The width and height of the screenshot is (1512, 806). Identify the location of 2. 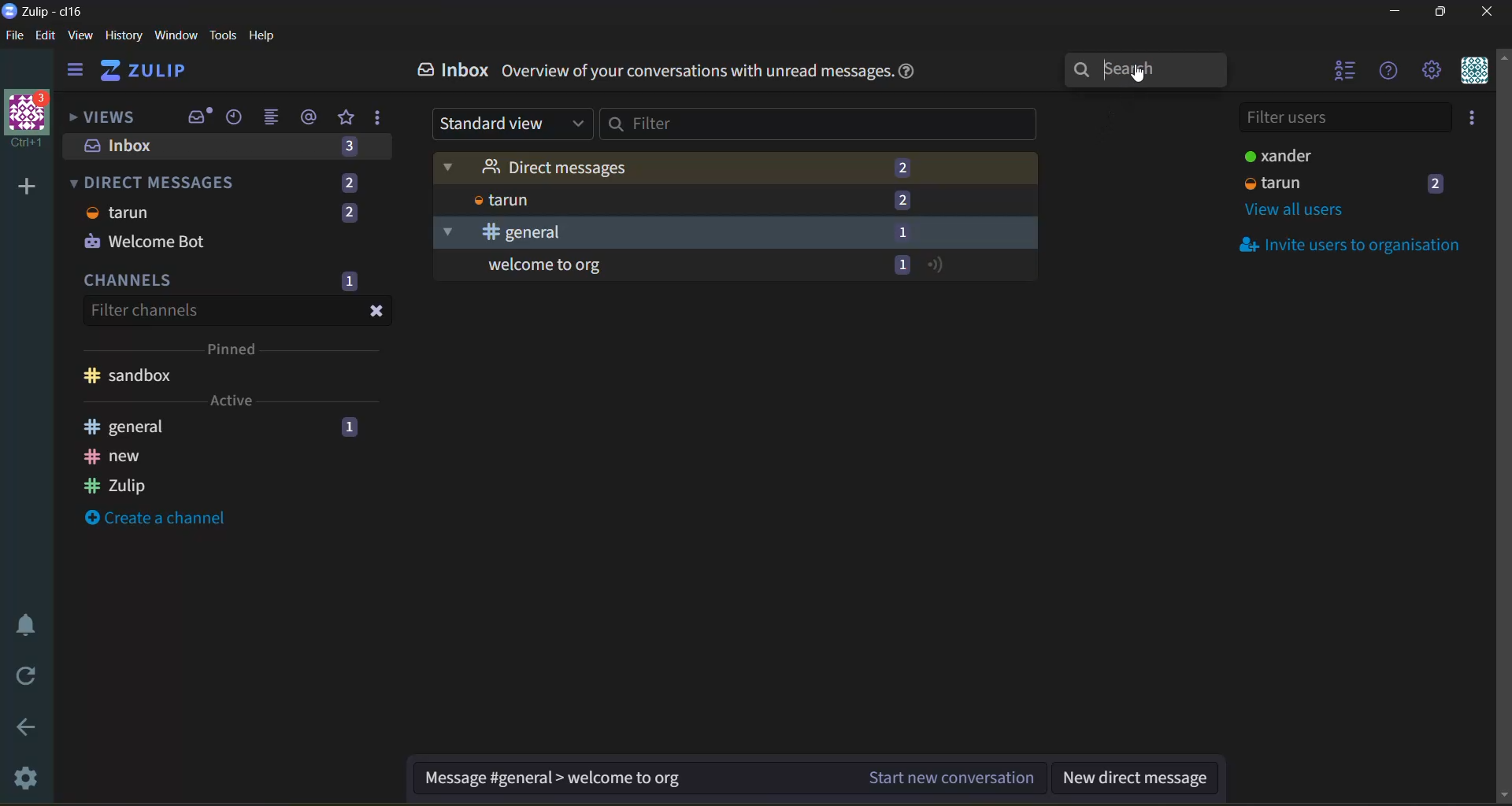
(348, 214).